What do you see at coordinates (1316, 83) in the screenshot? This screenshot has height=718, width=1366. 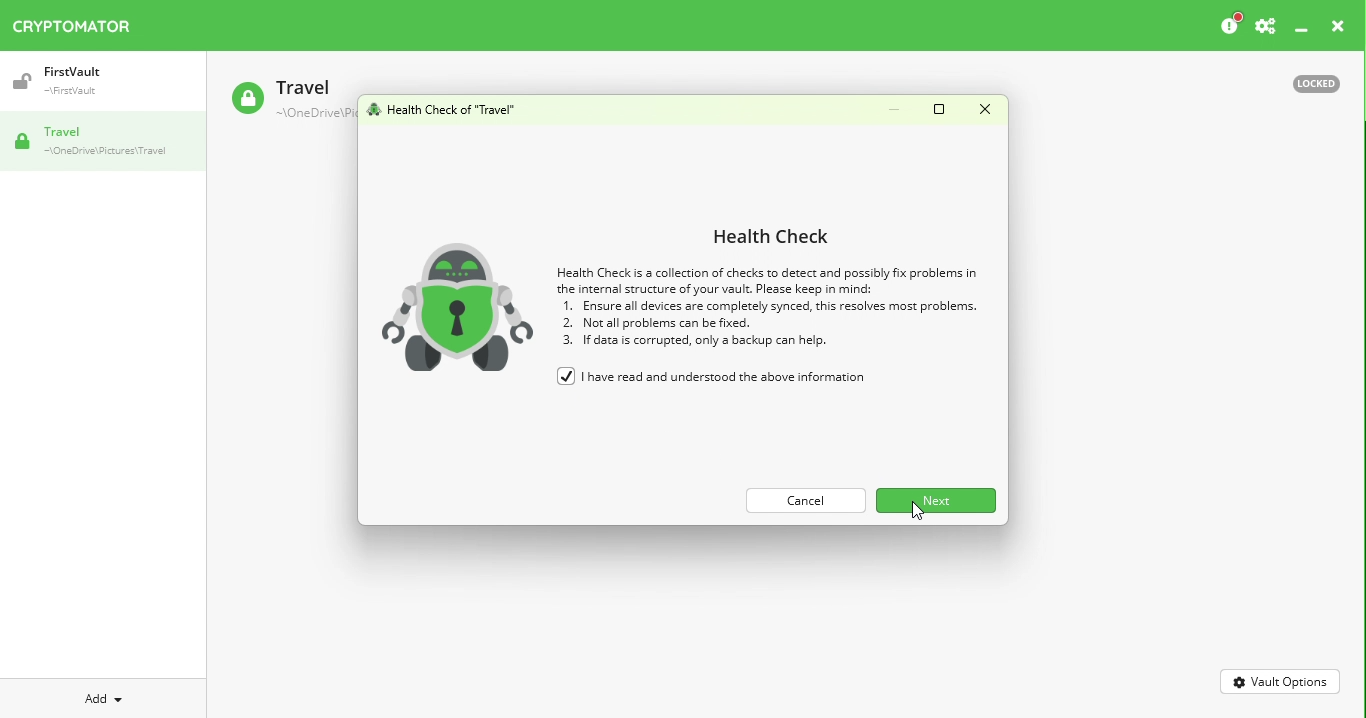 I see `Locked` at bounding box center [1316, 83].